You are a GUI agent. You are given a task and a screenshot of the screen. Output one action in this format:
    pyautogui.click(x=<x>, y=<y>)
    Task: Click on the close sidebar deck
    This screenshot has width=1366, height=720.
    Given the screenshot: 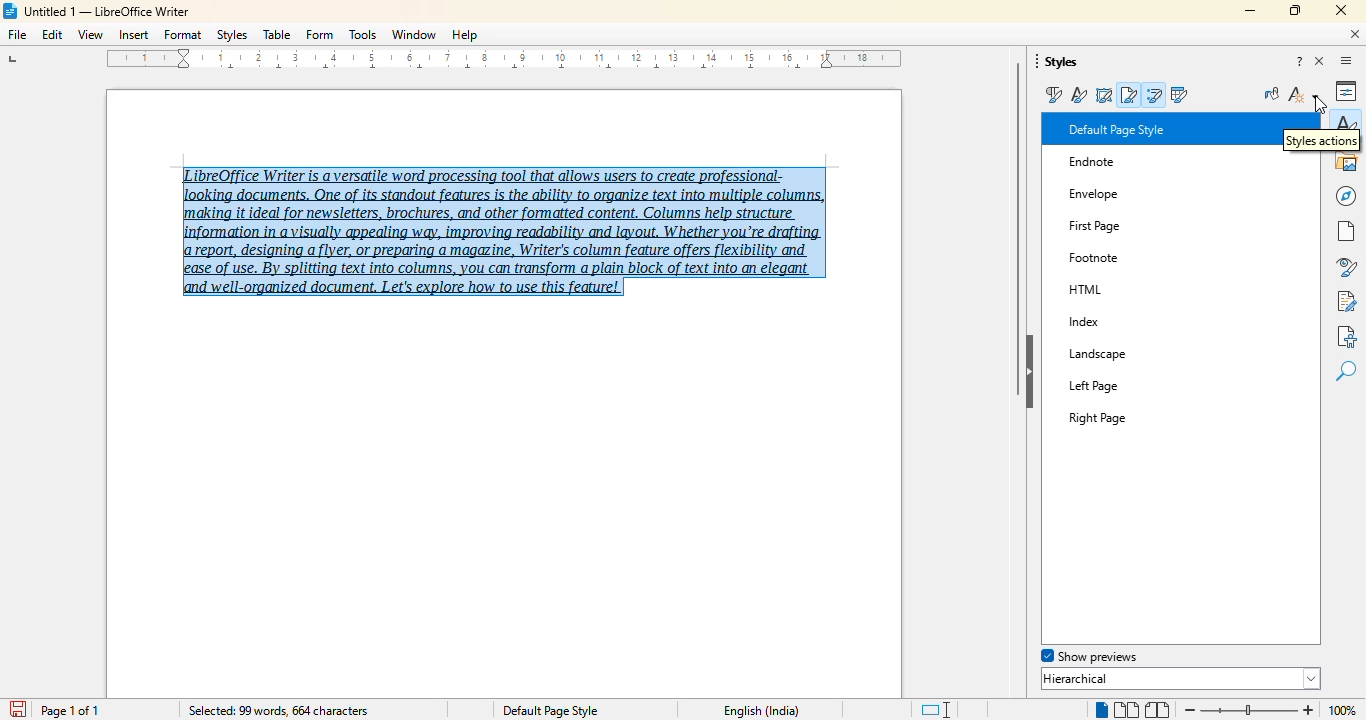 What is the action you would take?
    pyautogui.click(x=1321, y=62)
    